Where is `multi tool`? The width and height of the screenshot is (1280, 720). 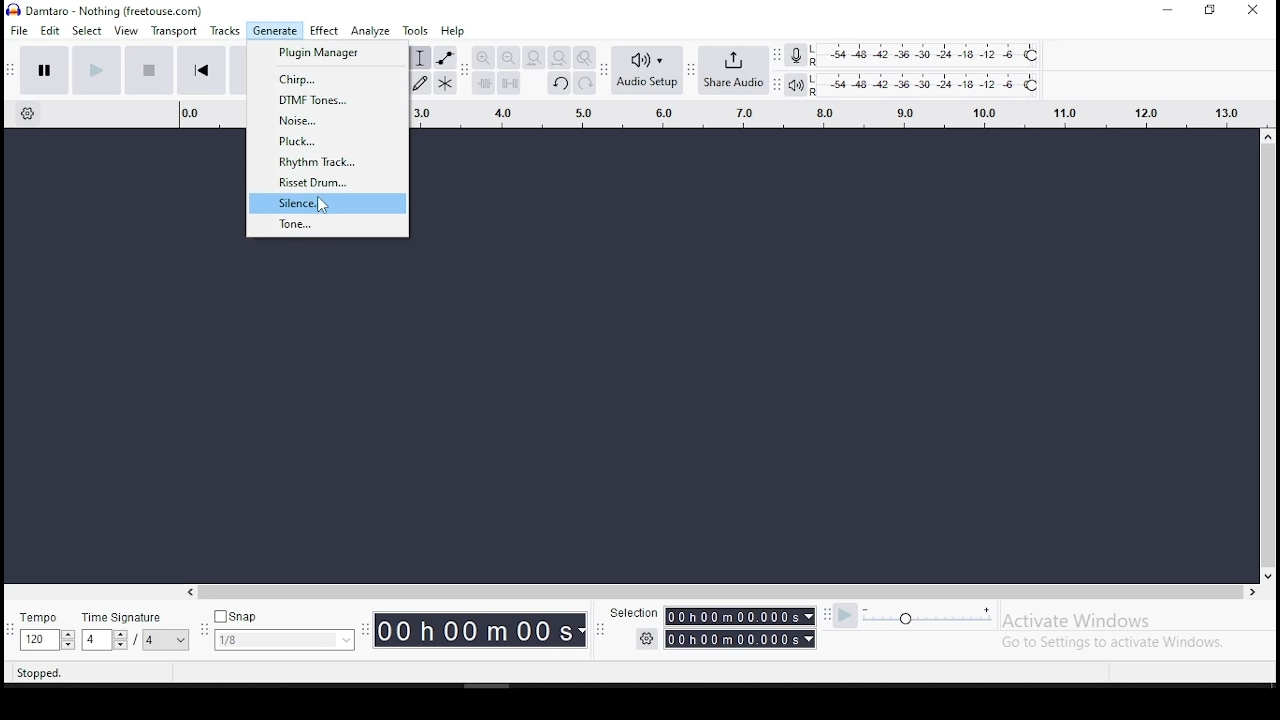
multi tool is located at coordinates (445, 83).